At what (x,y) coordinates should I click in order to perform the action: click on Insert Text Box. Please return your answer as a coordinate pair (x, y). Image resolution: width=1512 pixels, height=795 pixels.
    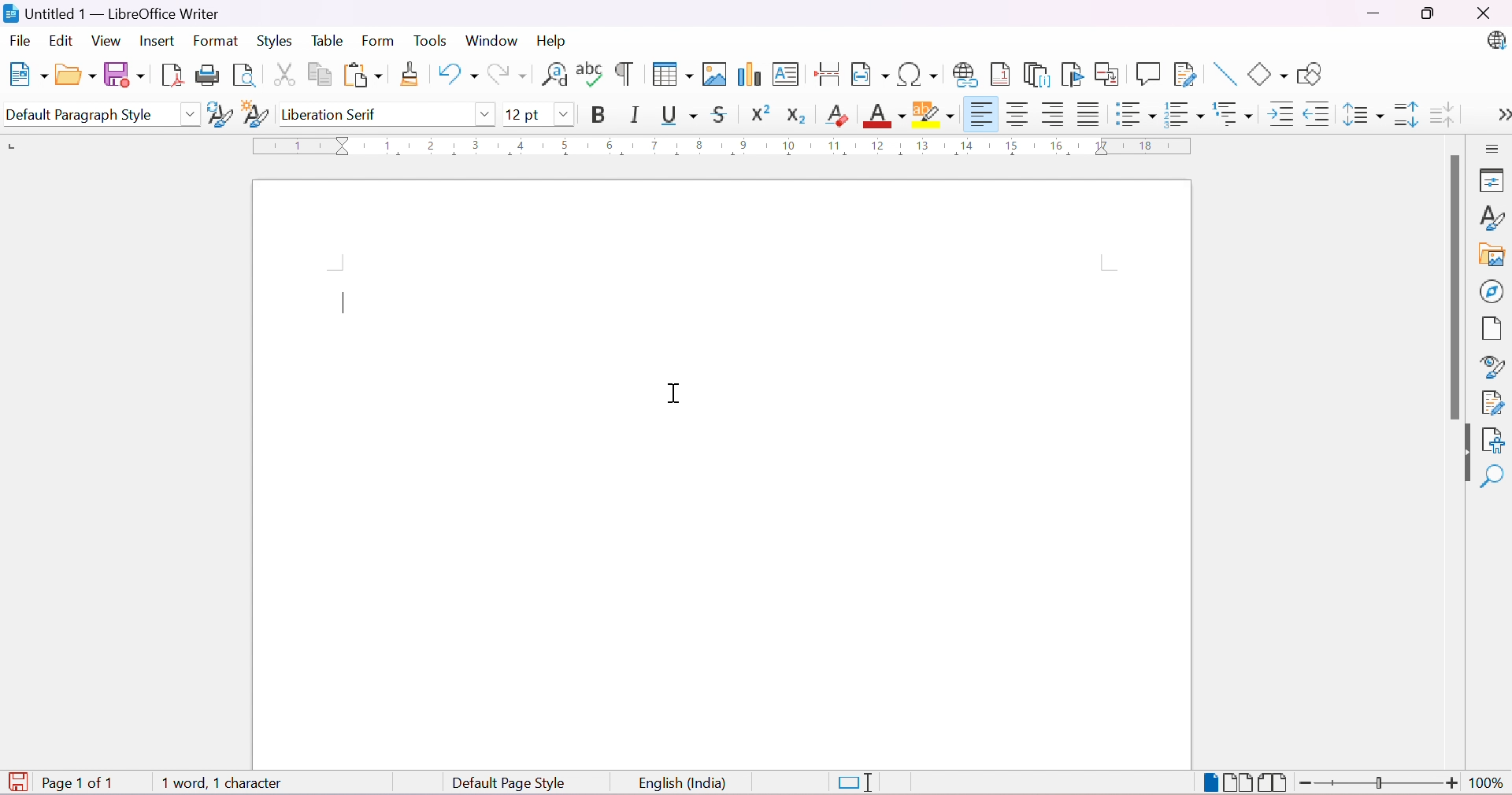
    Looking at the image, I should click on (785, 76).